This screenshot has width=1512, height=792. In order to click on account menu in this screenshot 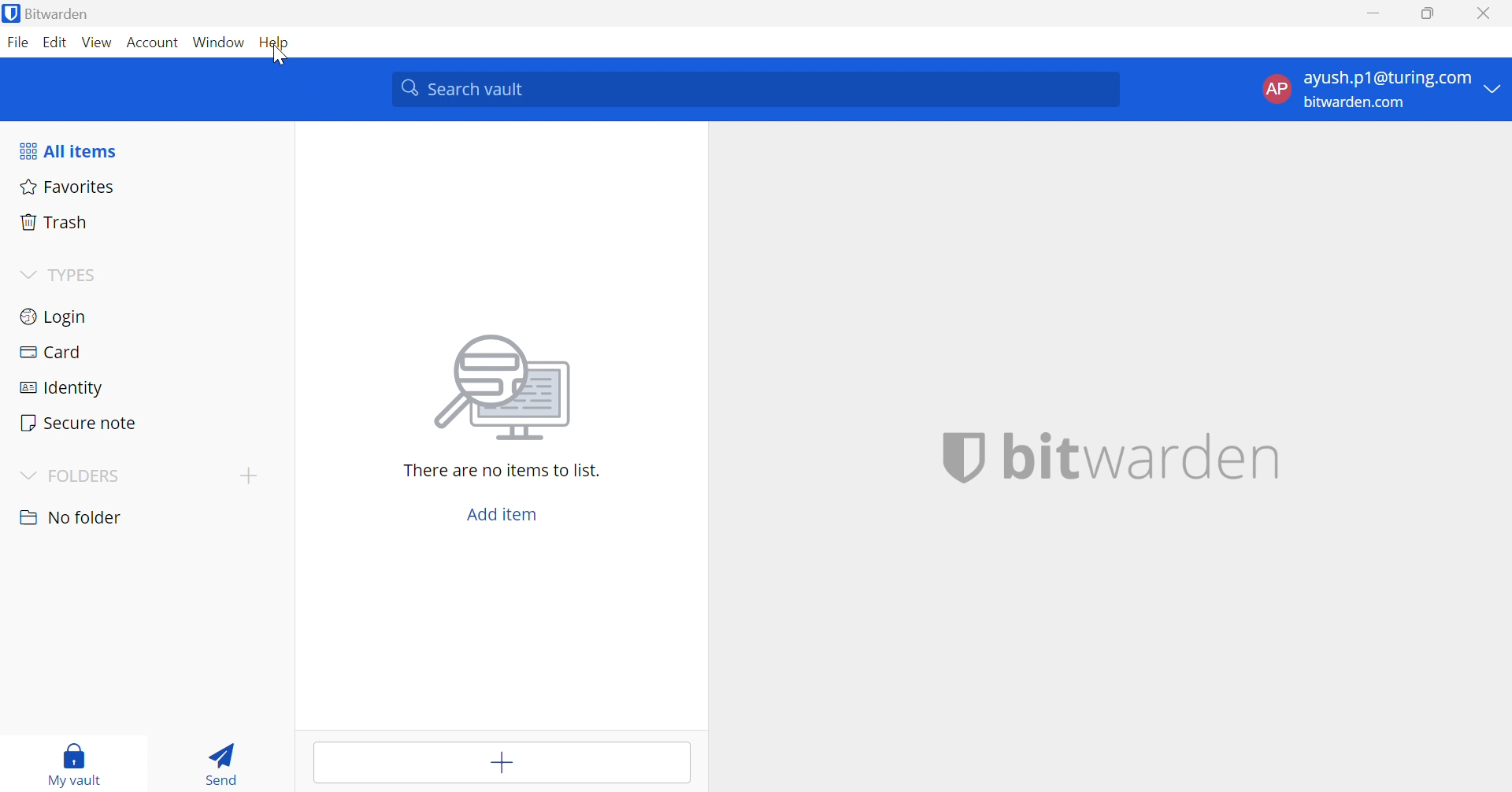, I will do `click(1377, 89)`.